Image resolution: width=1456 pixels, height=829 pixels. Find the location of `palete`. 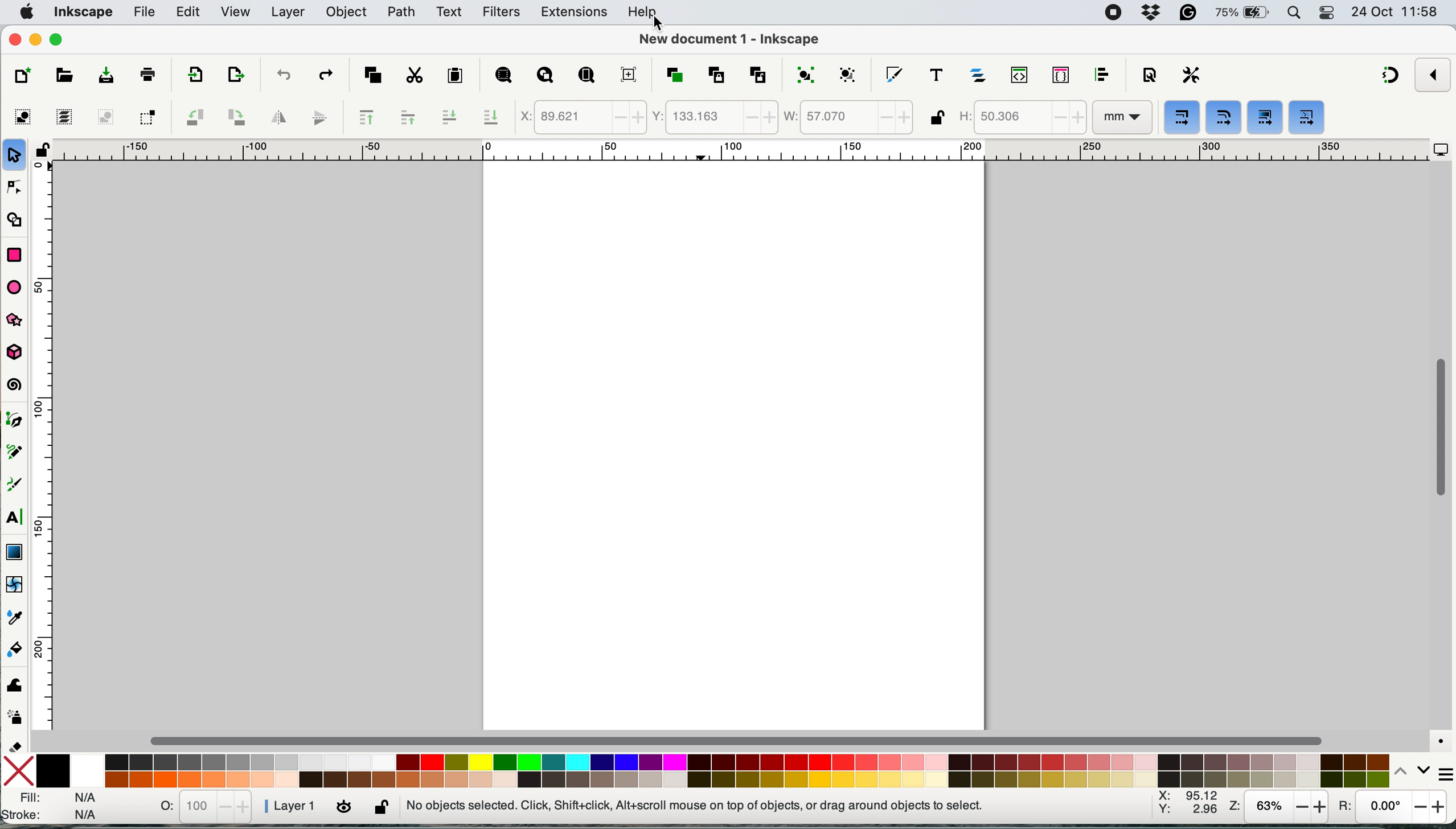

palete is located at coordinates (713, 770).